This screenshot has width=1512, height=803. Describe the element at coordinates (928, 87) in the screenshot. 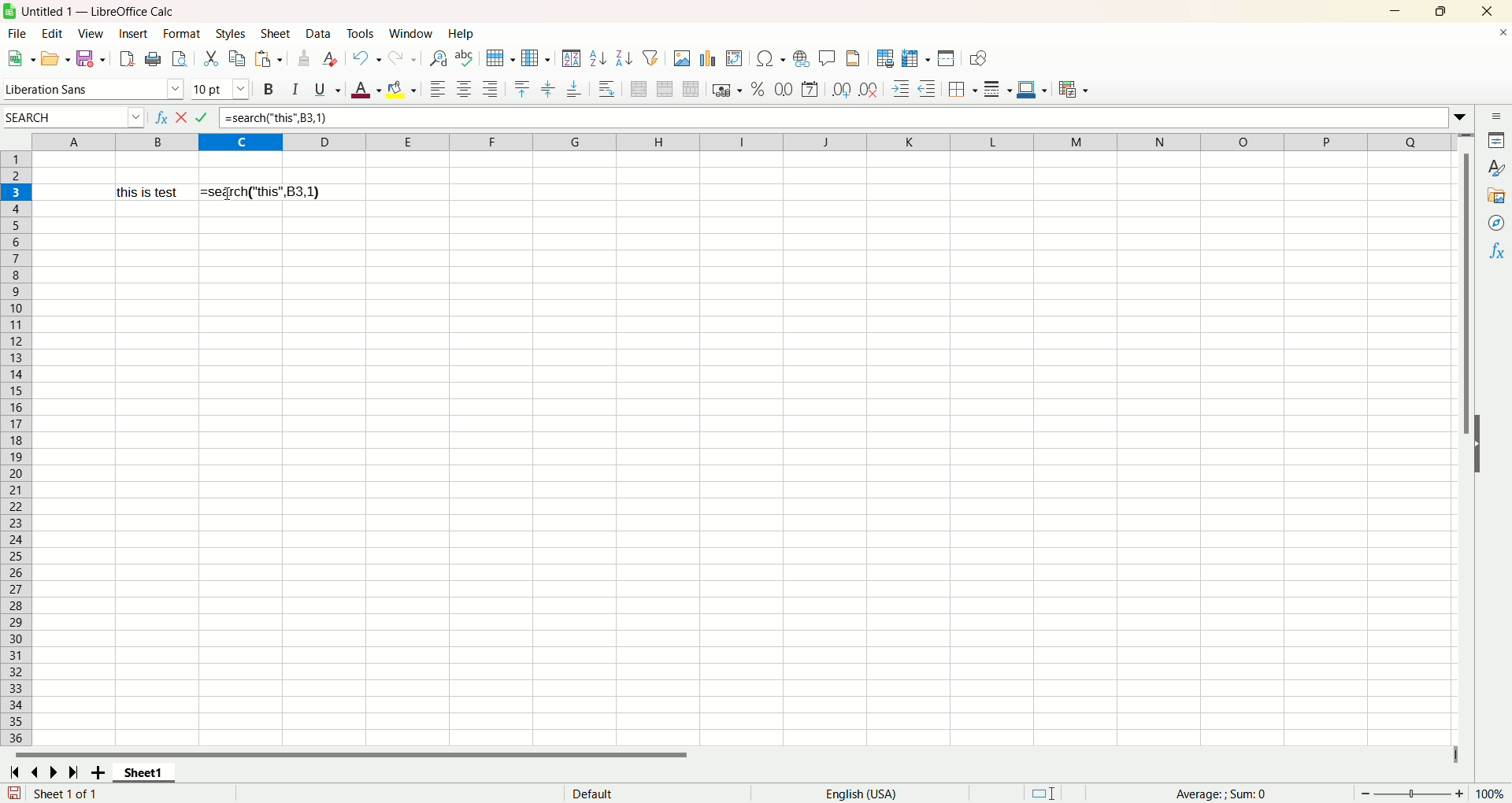

I see `decrease indent` at that location.